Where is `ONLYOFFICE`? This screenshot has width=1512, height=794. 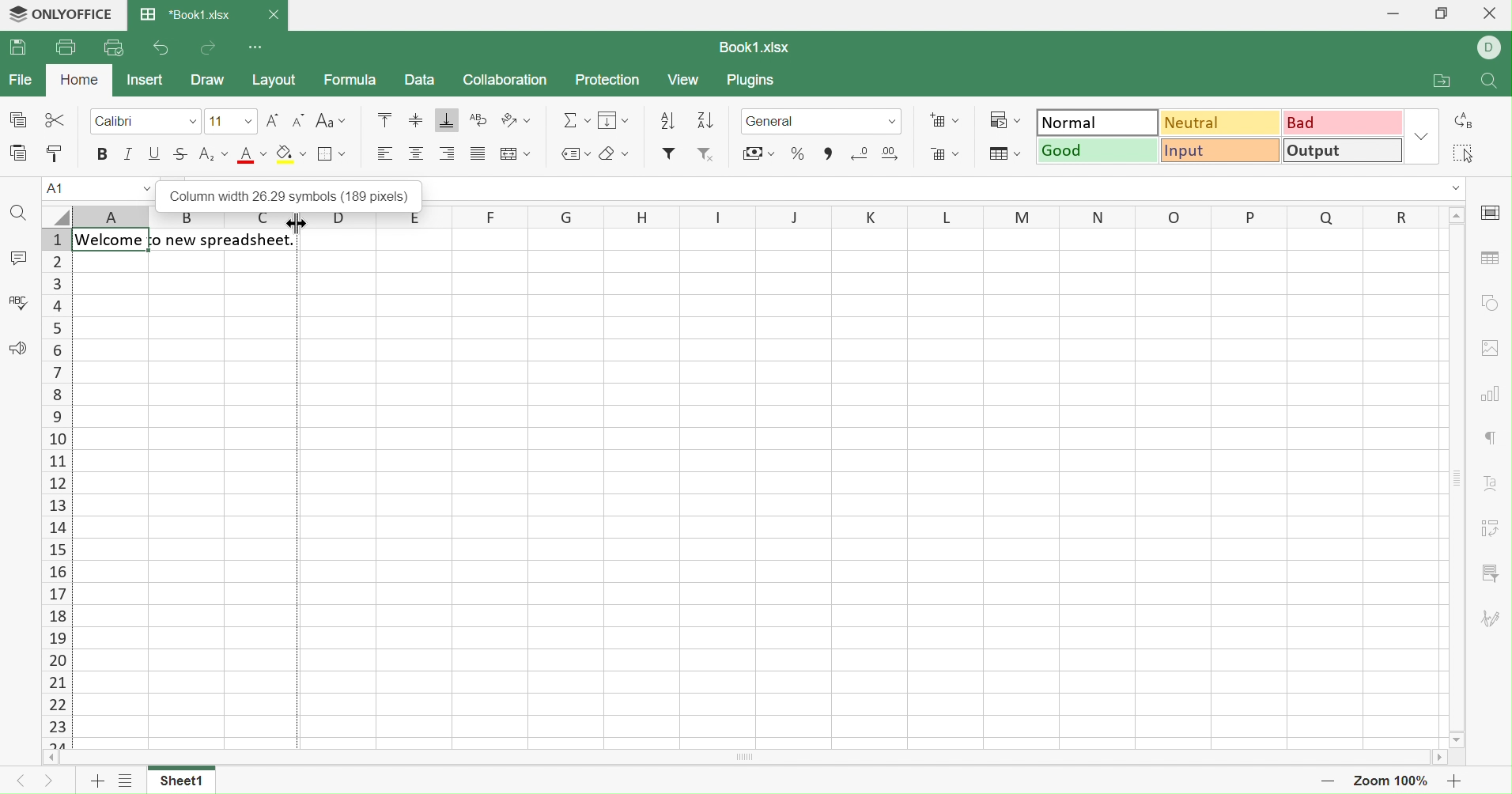
ONLYOFFICE is located at coordinates (63, 14).